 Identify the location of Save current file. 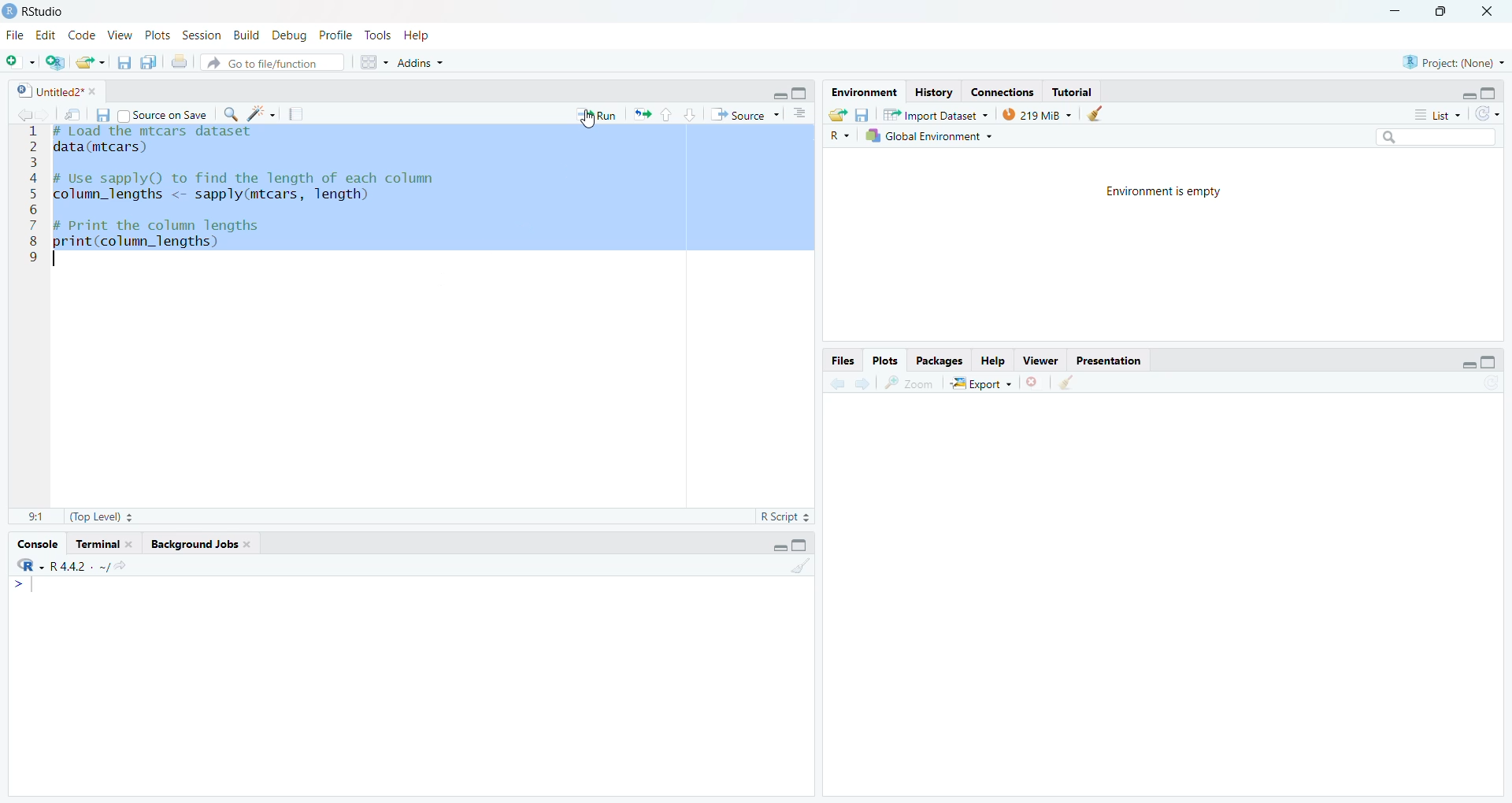
(125, 62).